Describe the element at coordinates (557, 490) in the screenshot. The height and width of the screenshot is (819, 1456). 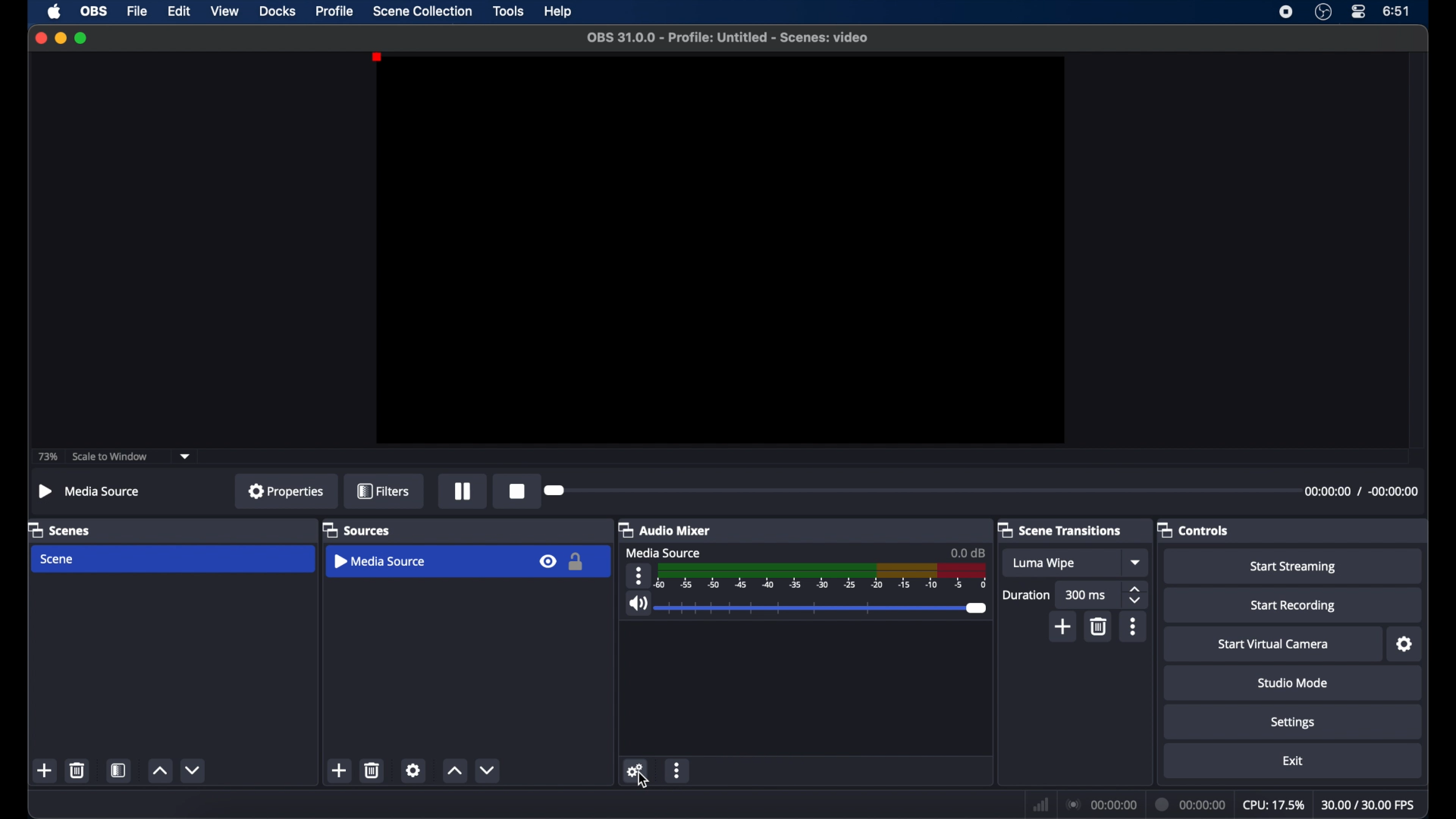
I see `slider` at that location.